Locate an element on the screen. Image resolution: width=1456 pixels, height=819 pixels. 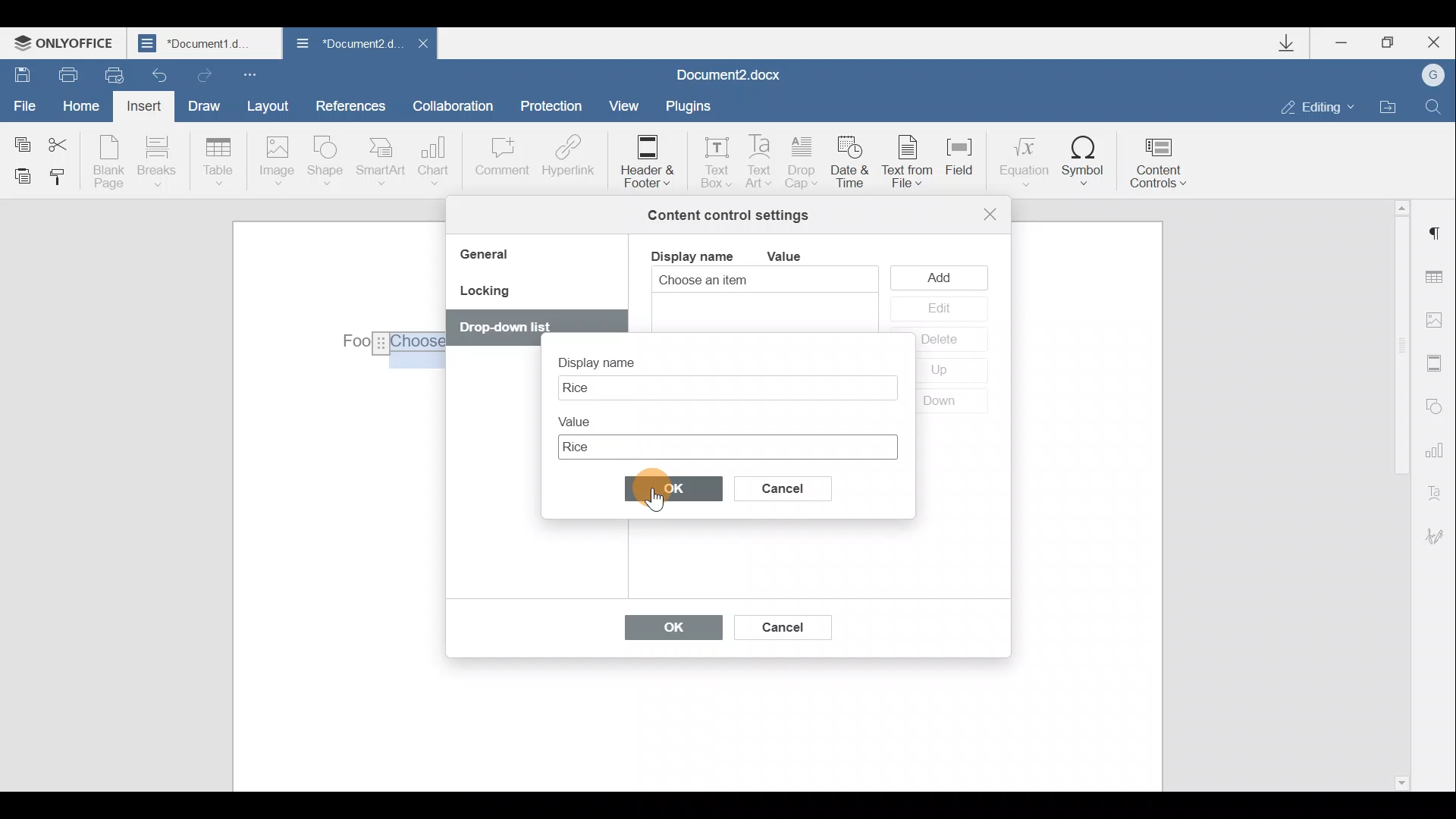
Value is located at coordinates (796, 256).